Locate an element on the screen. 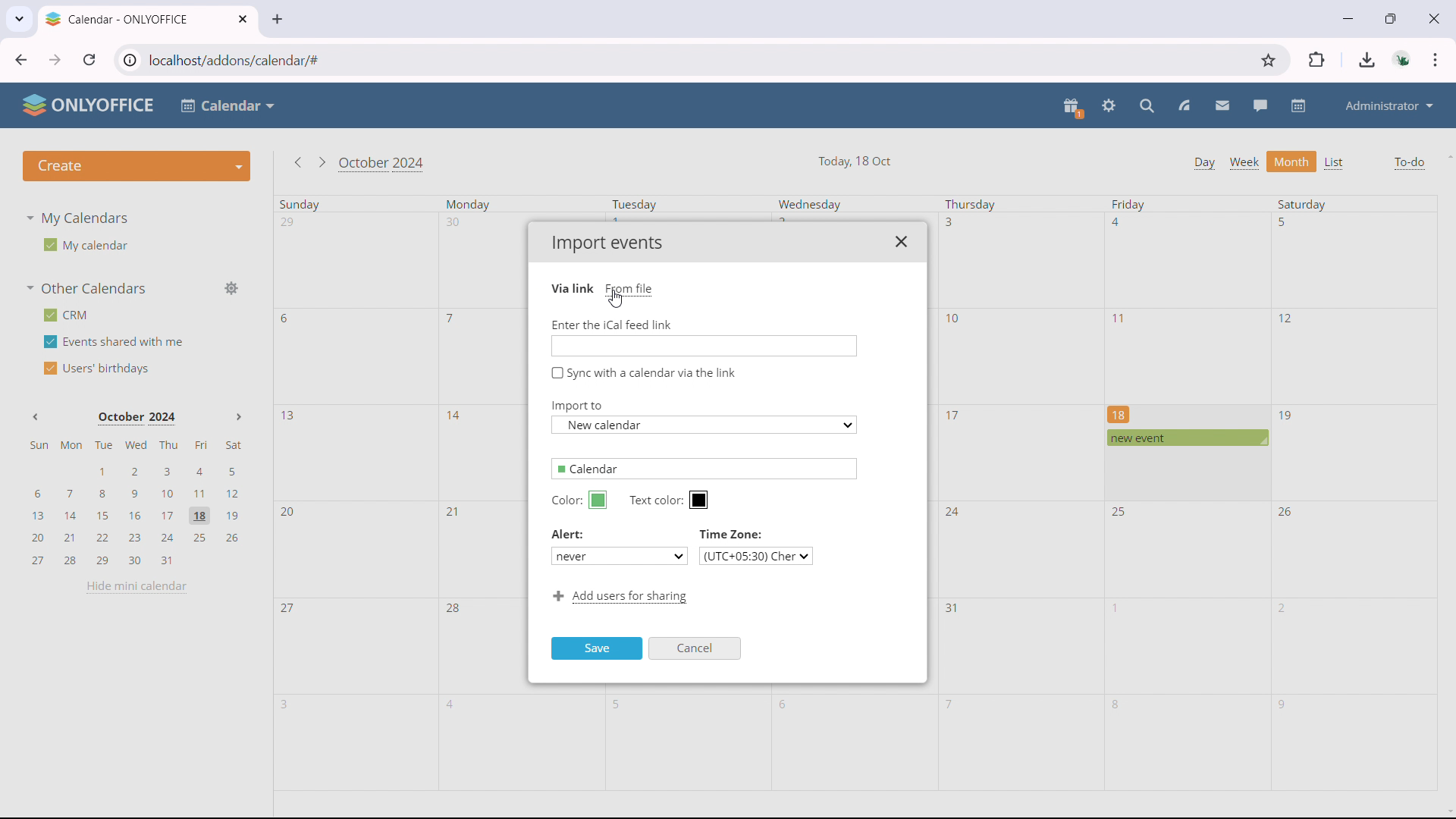 Image resolution: width=1456 pixels, height=819 pixels. 4 is located at coordinates (1119, 222).